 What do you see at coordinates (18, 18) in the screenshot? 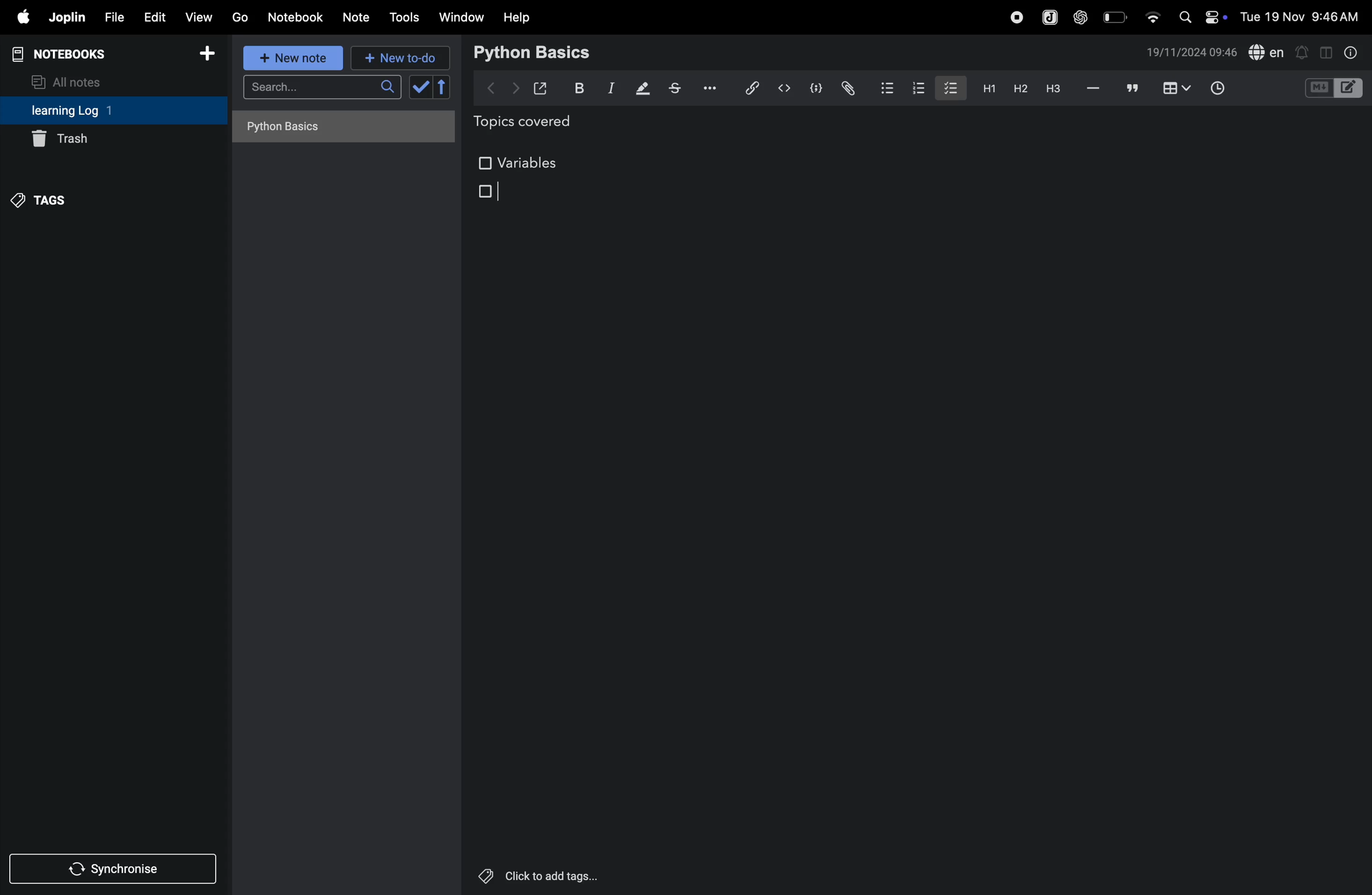
I see `apple menu` at bounding box center [18, 18].